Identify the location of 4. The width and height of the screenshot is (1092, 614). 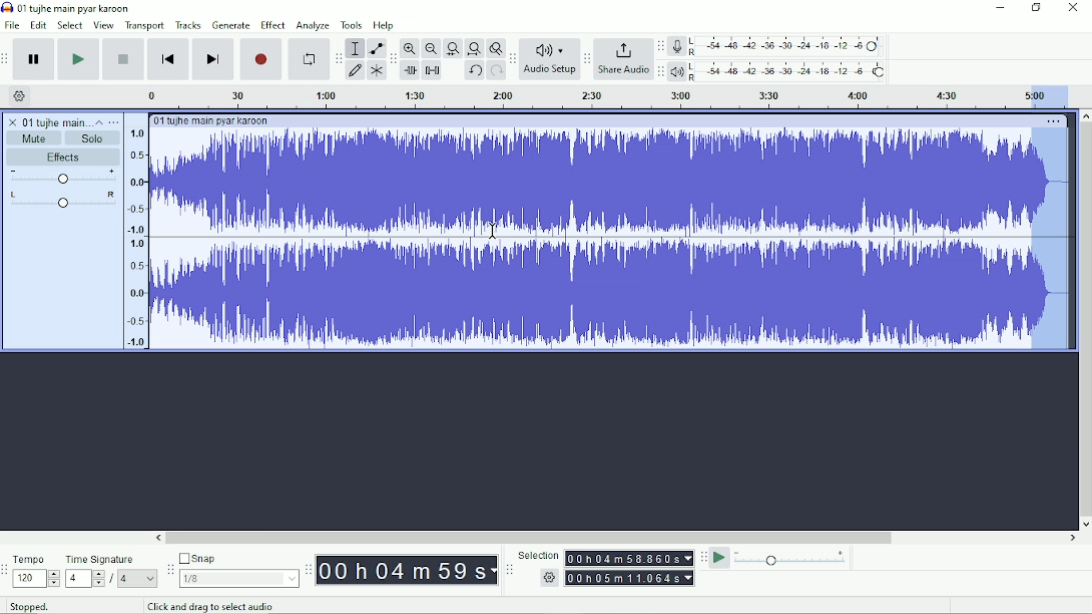
(140, 578).